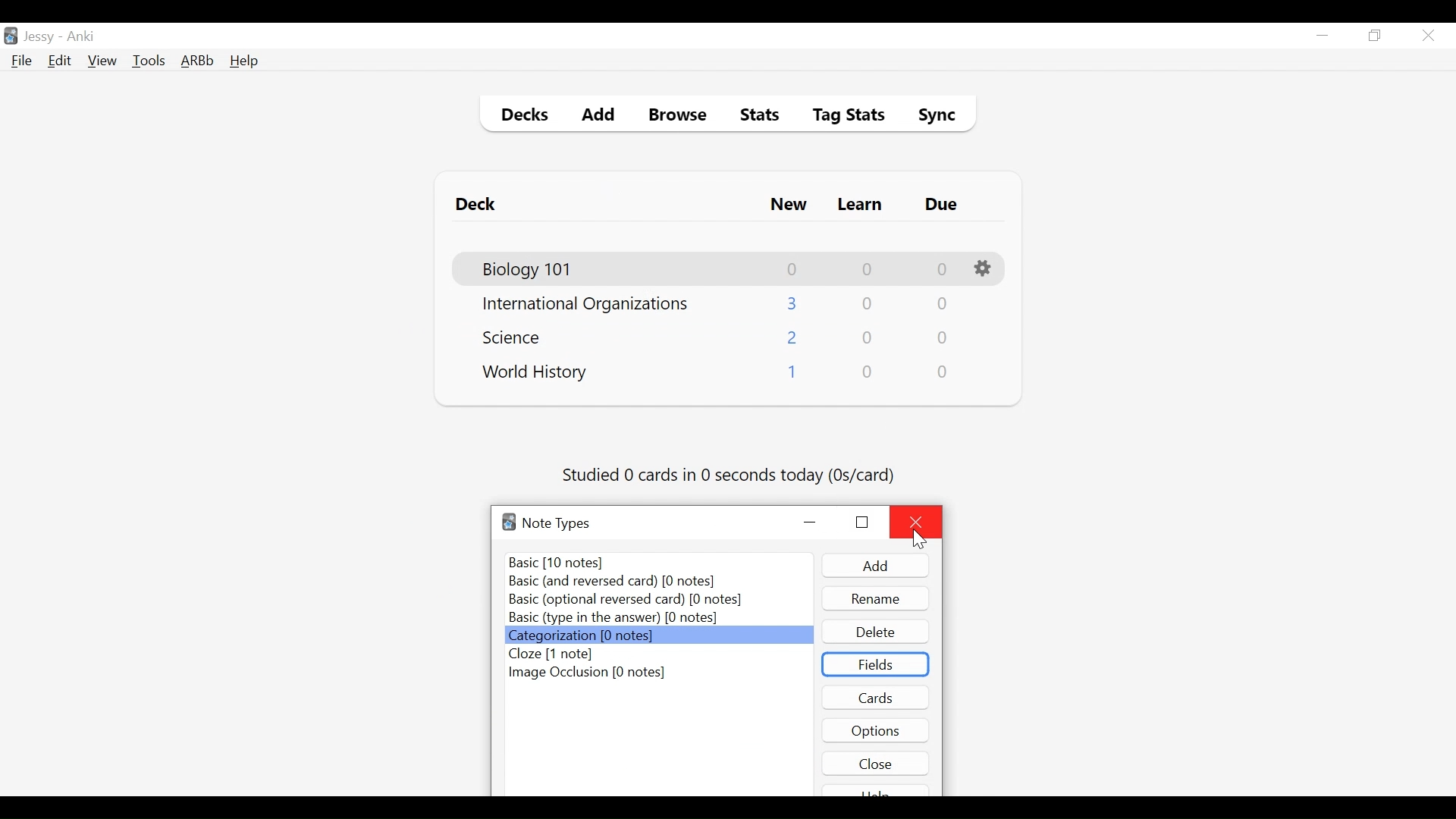 The width and height of the screenshot is (1456, 819). What do you see at coordinates (625, 601) in the screenshot?
I see `Basic (optional reversed card) (number of notes)` at bounding box center [625, 601].